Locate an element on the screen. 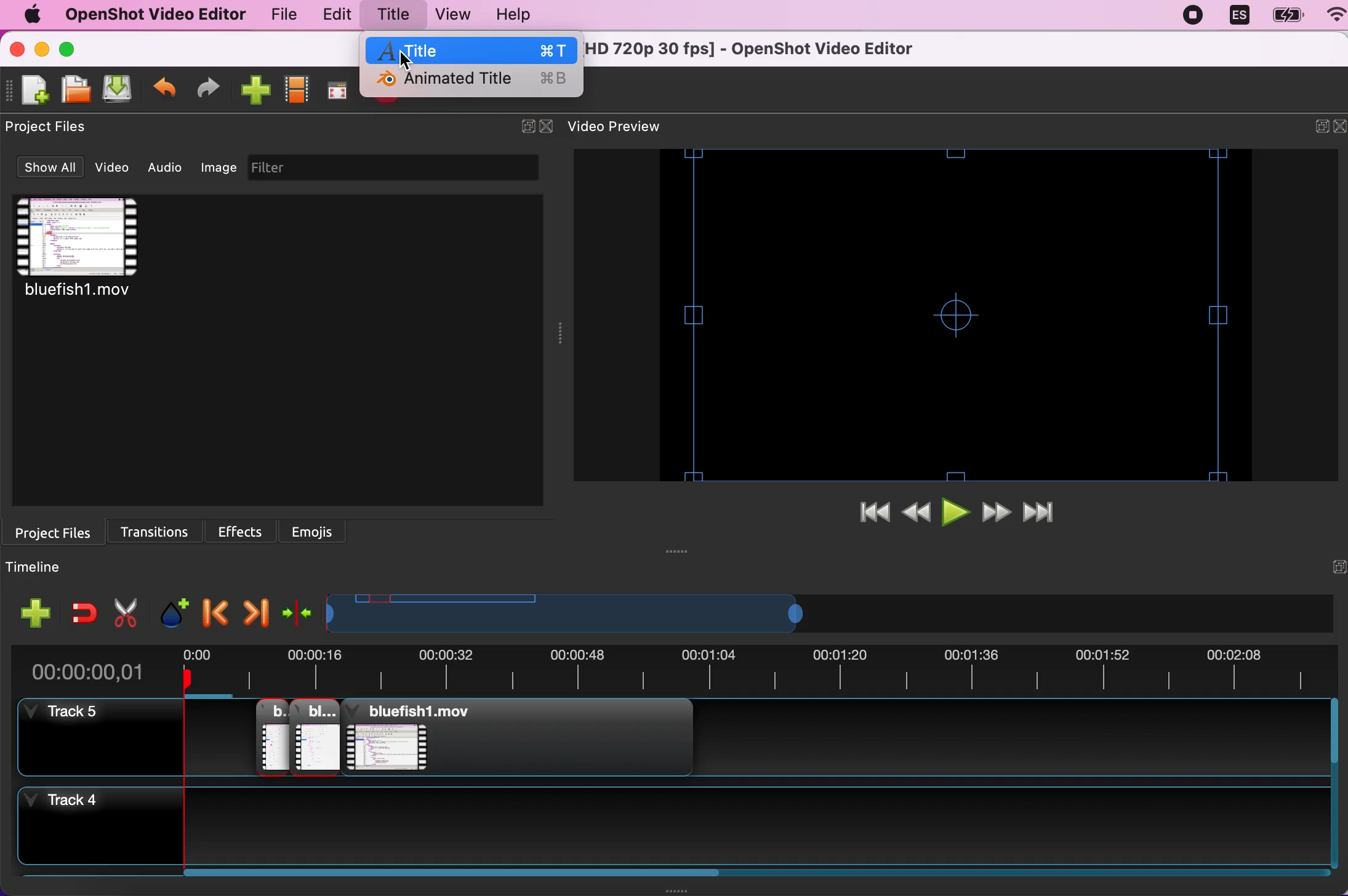 Image resolution: width=1348 pixels, height=896 pixels. emojis is located at coordinates (315, 530).